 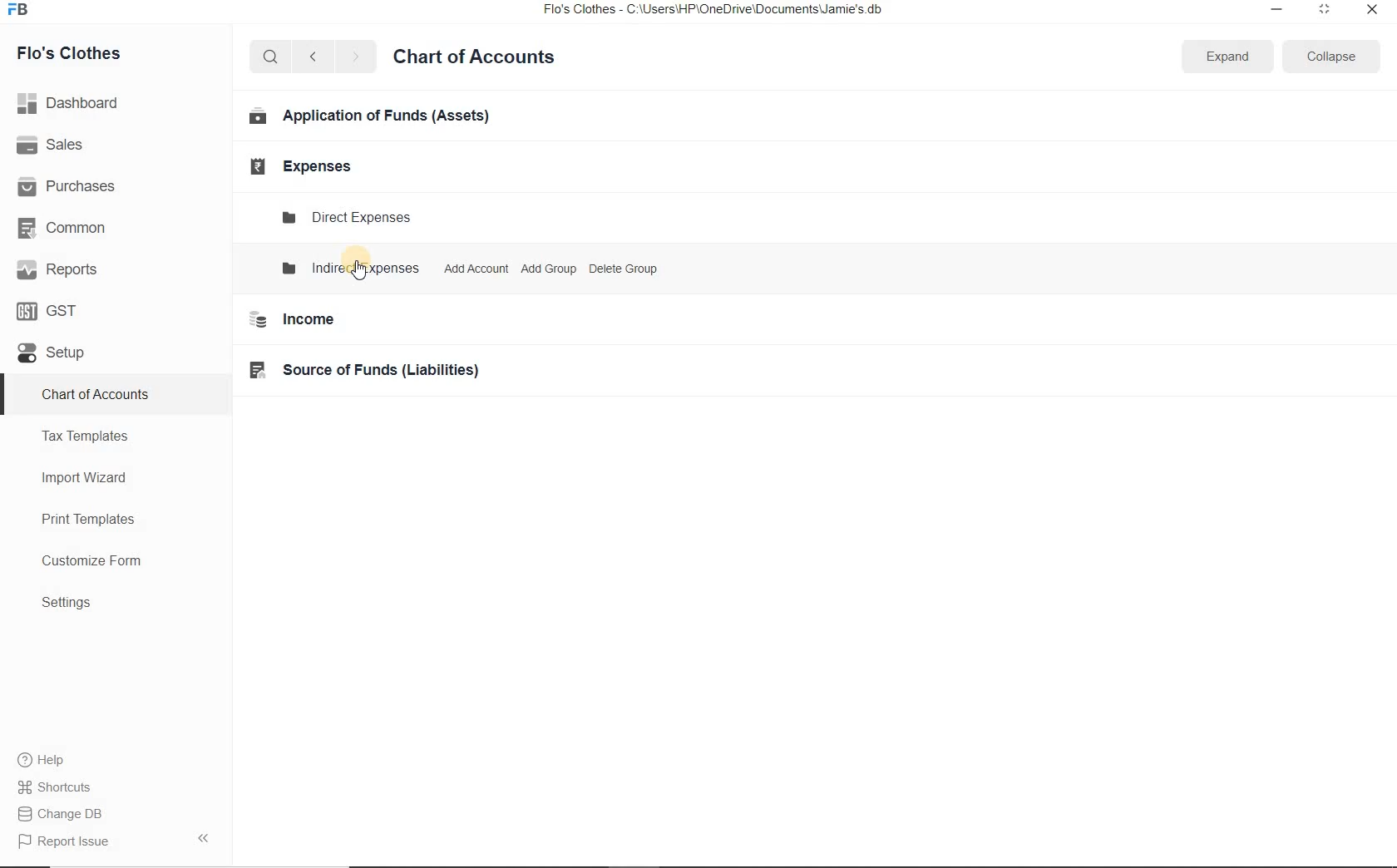 I want to click on Print Templates, so click(x=88, y=520).